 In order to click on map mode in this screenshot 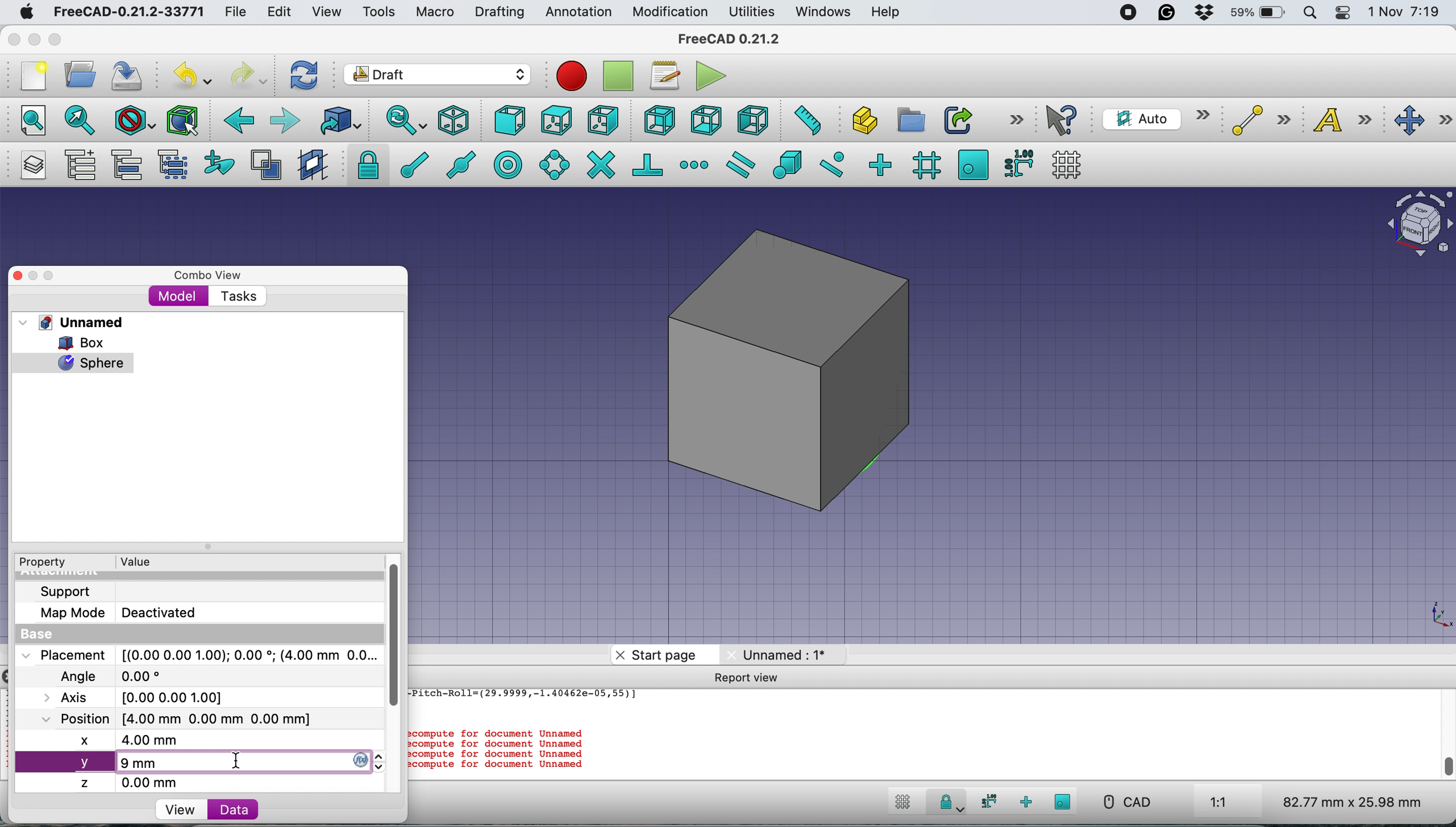, I will do `click(125, 612)`.